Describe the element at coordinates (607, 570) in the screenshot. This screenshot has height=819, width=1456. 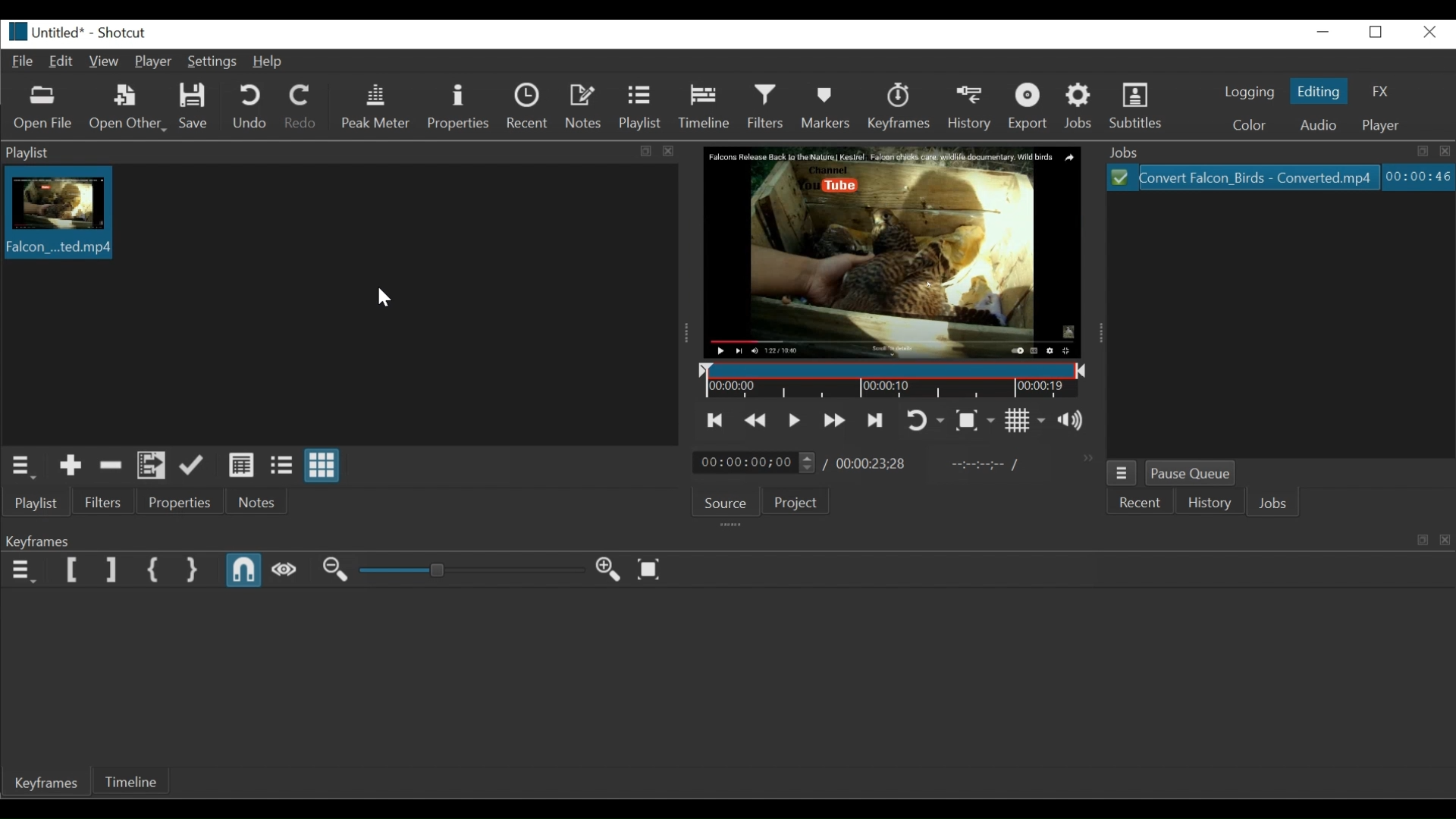
I see `Zoom Keyframe in` at that location.